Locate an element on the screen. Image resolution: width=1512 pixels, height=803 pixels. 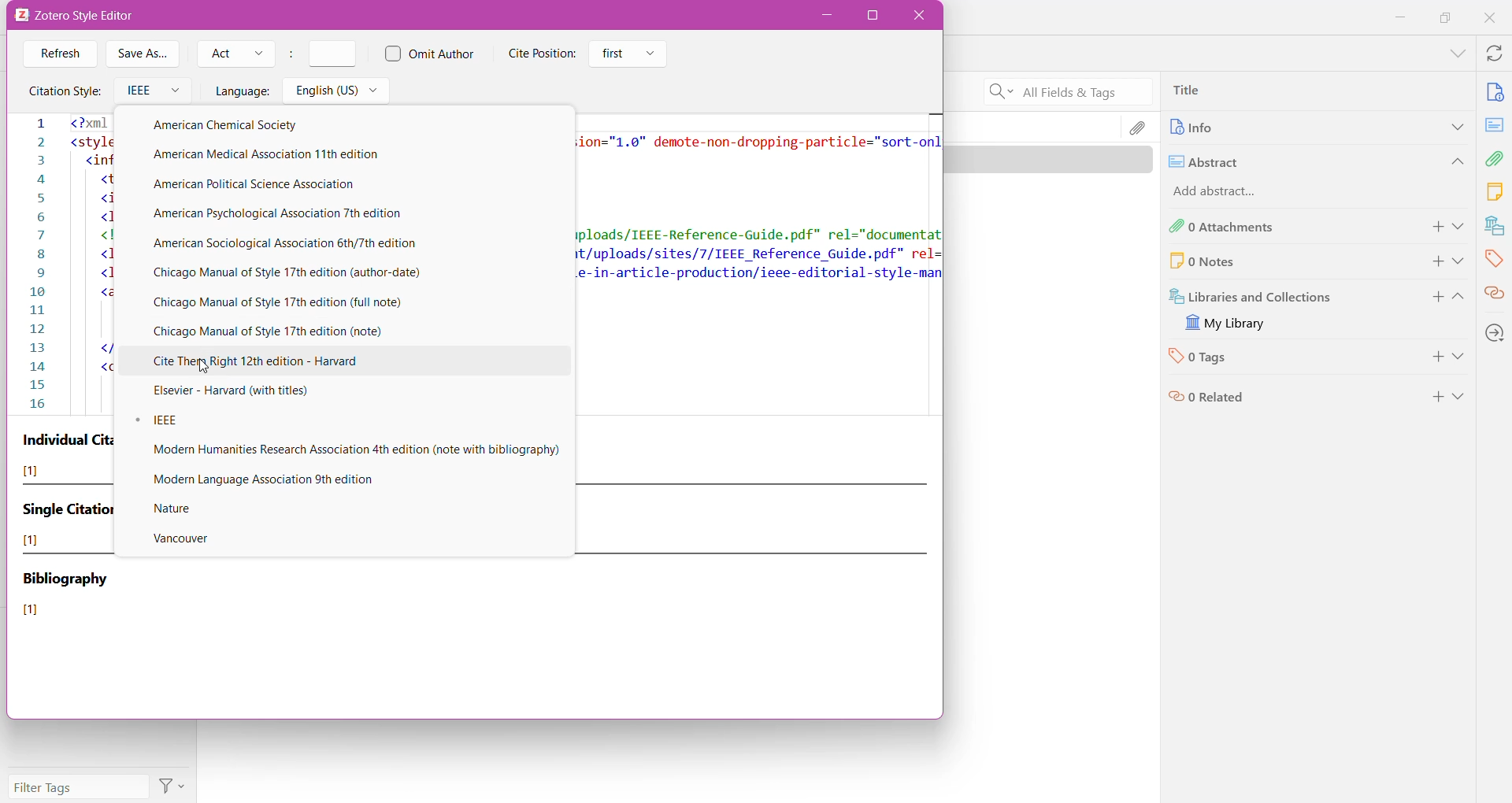
Elsevier - Harvard (with titles) is located at coordinates (246, 393).